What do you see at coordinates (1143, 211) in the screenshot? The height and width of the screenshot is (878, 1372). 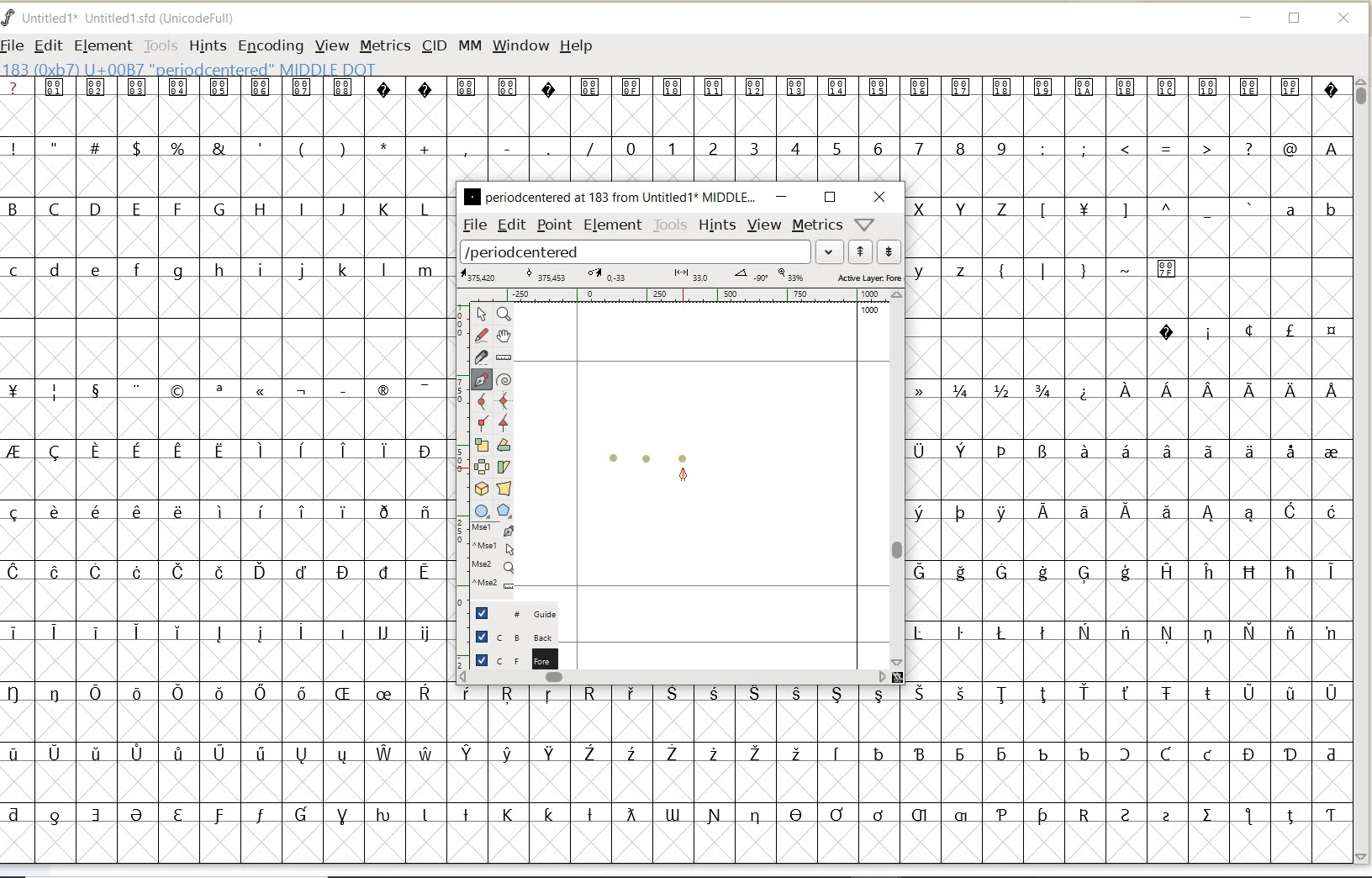 I see `` at bounding box center [1143, 211].